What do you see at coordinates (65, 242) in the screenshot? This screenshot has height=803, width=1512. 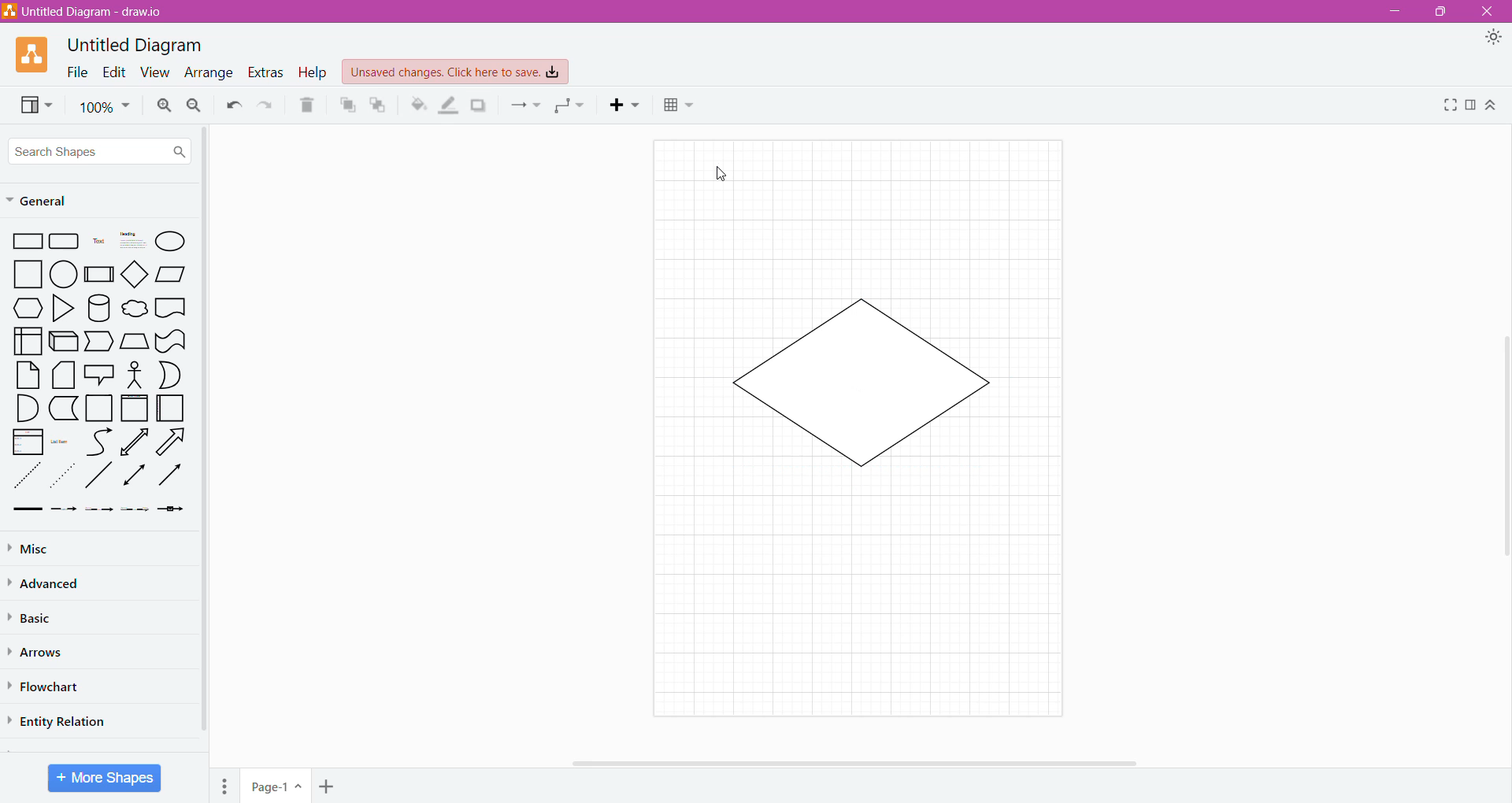 I see `Rounded Rectangle` at bounding box center [65, 242].